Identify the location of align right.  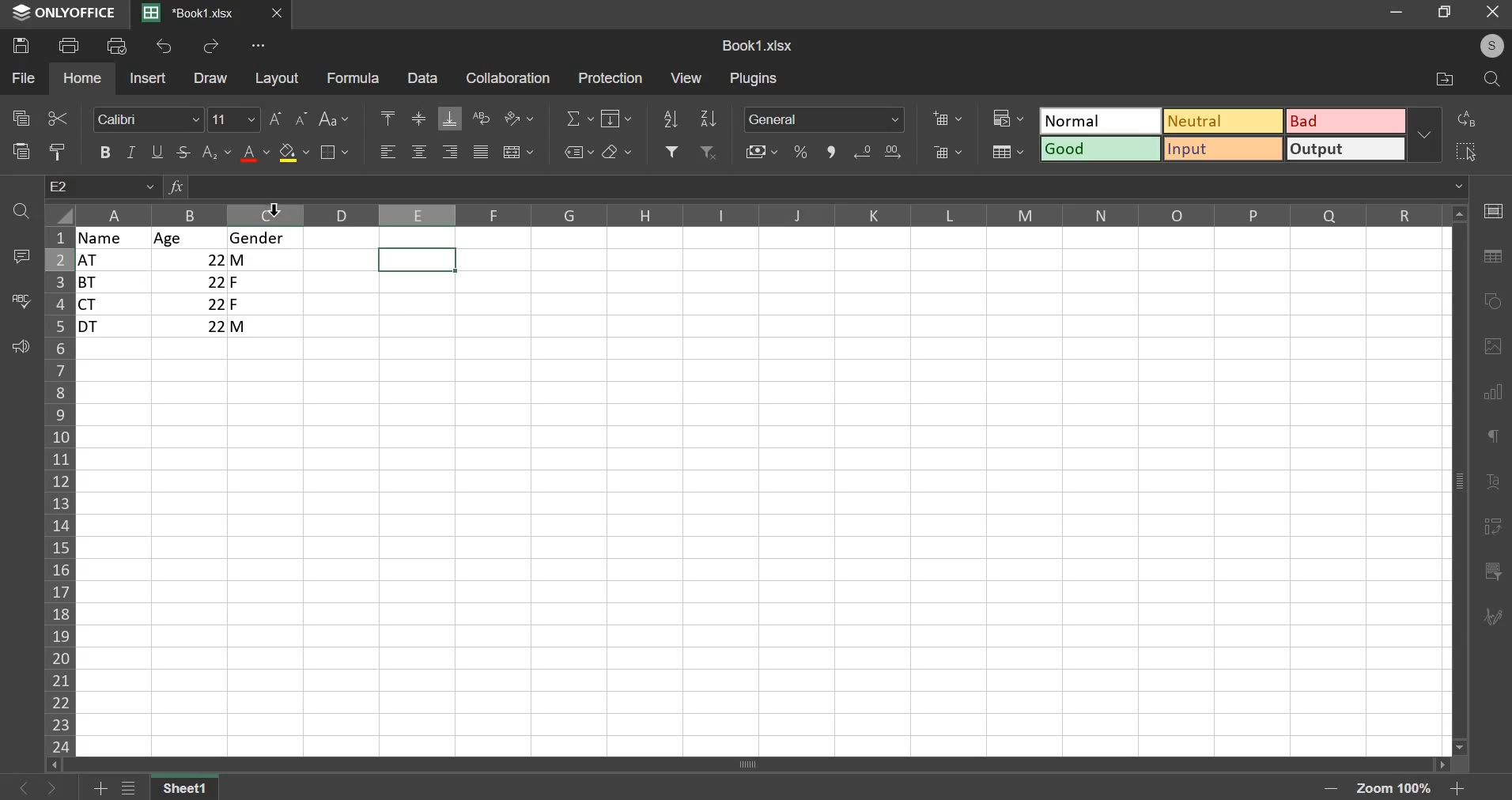
(449, 152).